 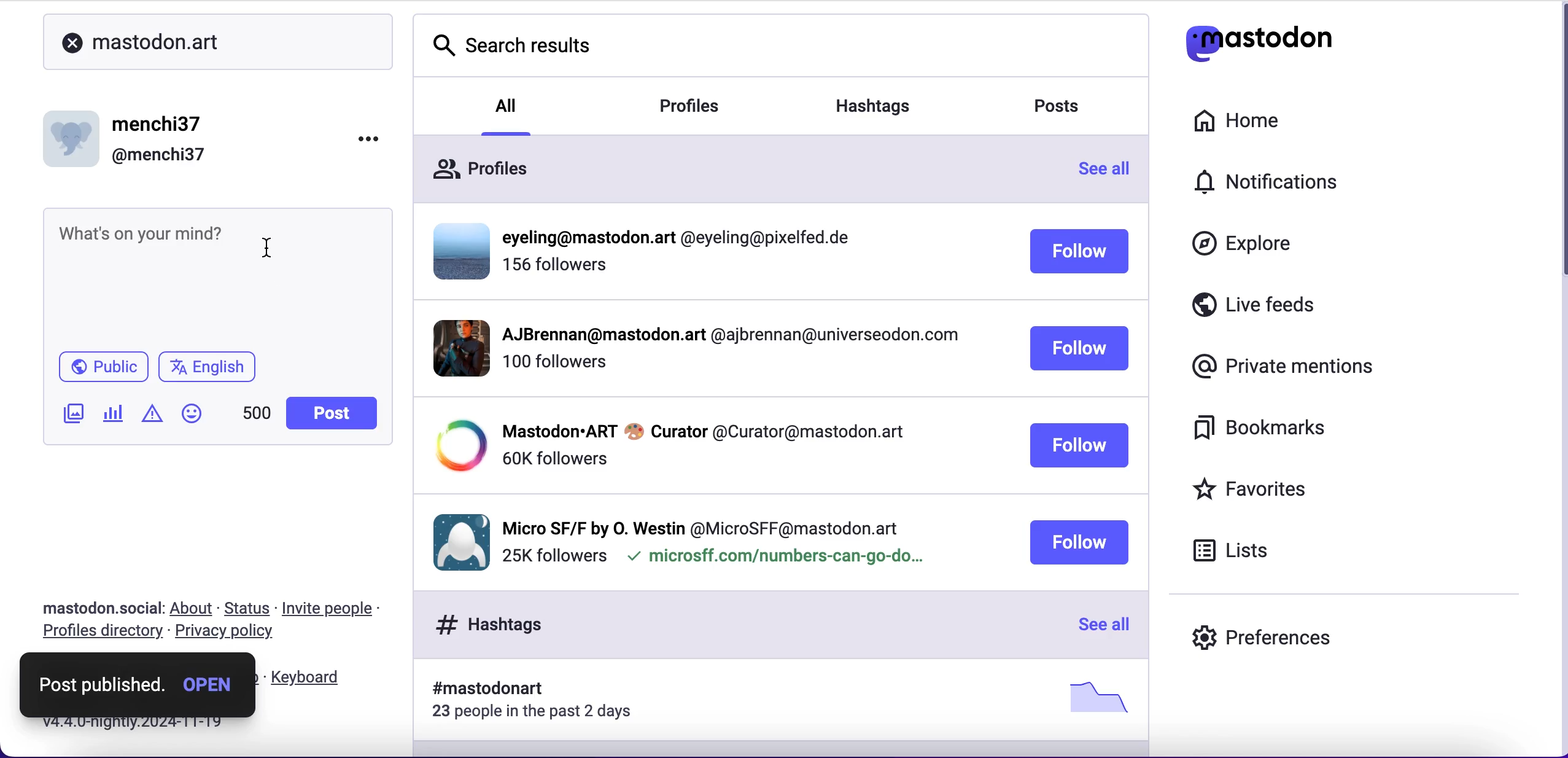 What do you see at coordinates (889, 101) in the screenshot?
I see `hashtags` at bounding box center [889, 101].